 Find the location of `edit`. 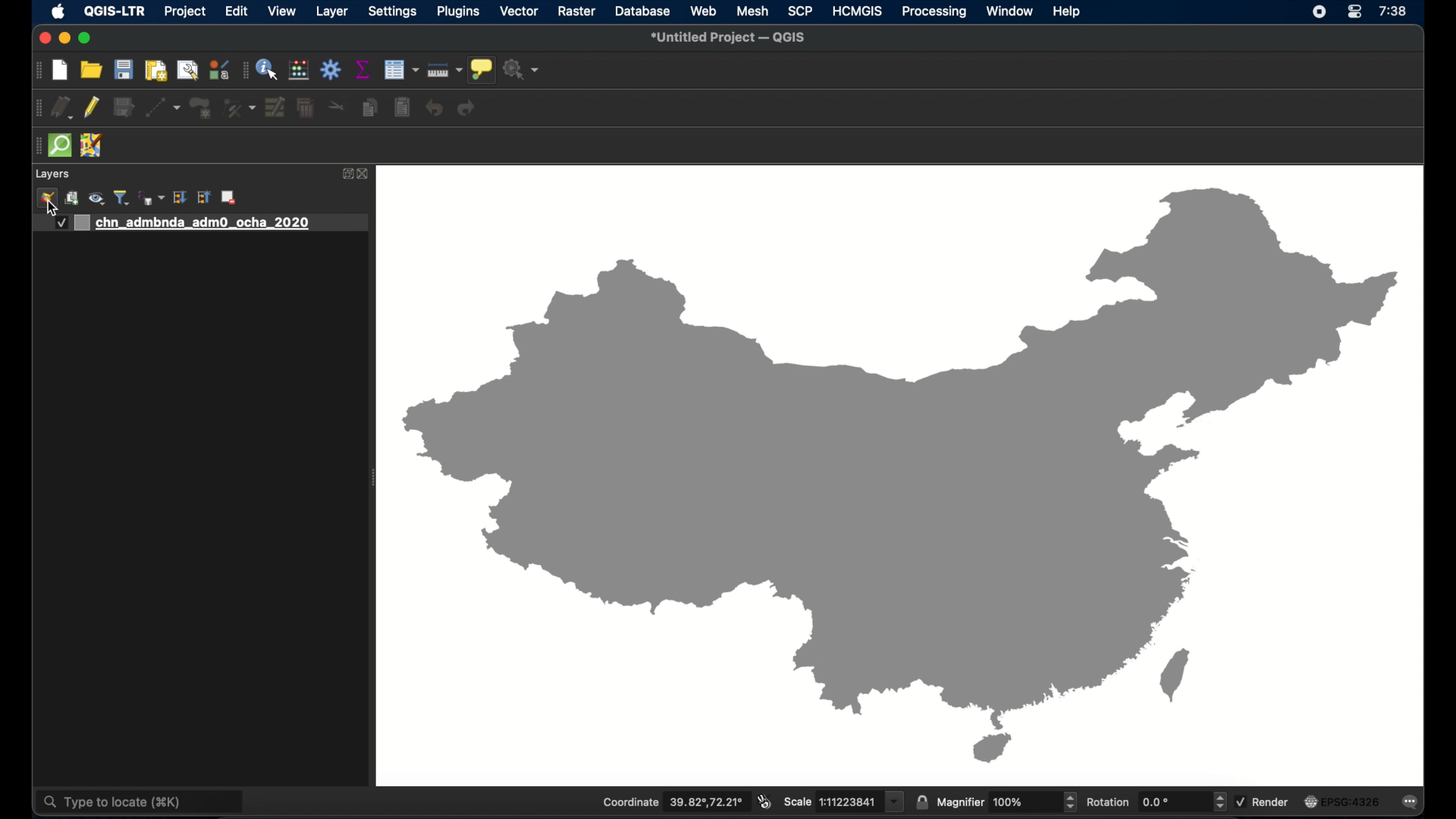

edit is located at coordinates (237, 11).